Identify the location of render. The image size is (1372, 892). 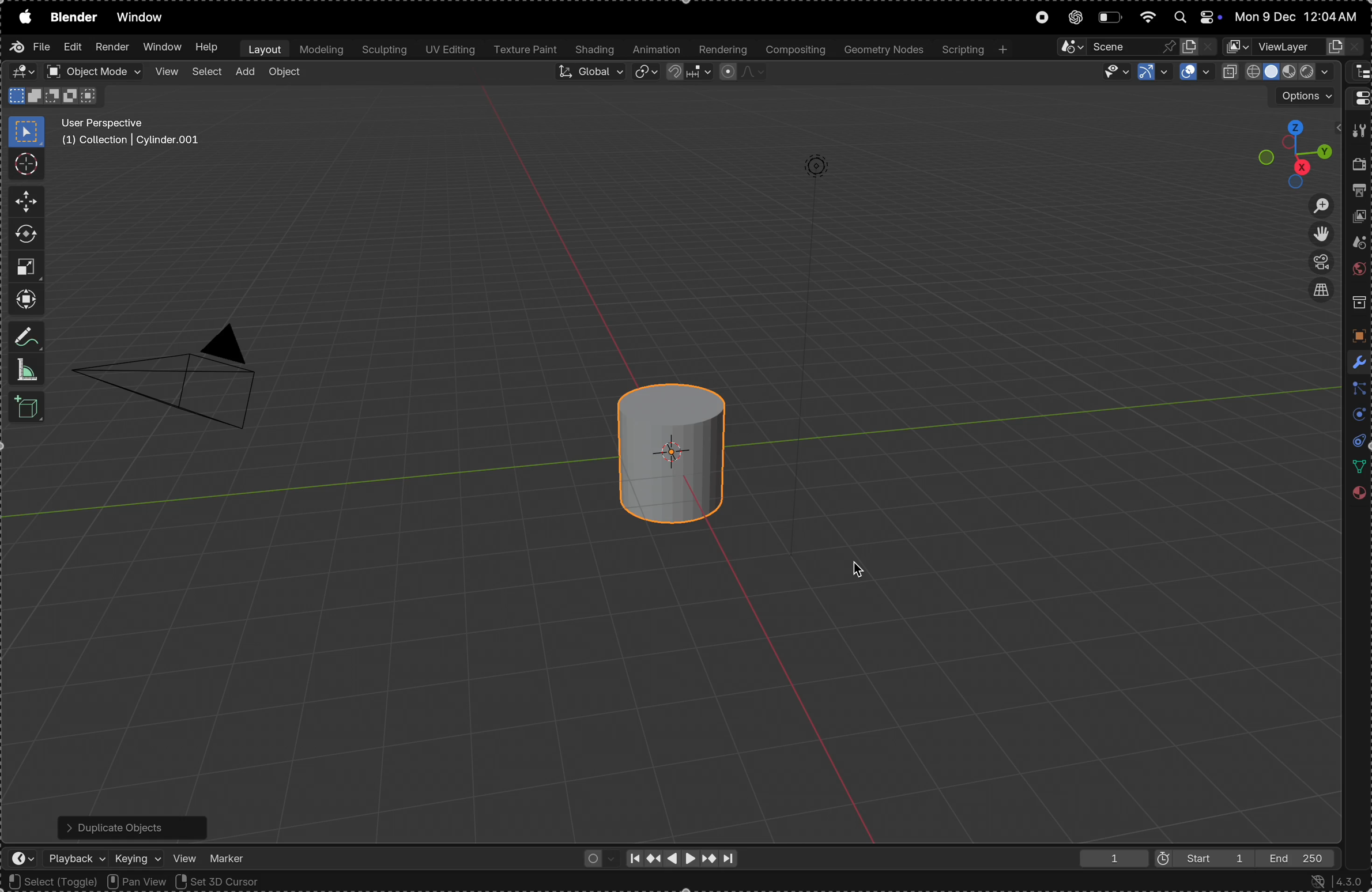
(1359, 167).